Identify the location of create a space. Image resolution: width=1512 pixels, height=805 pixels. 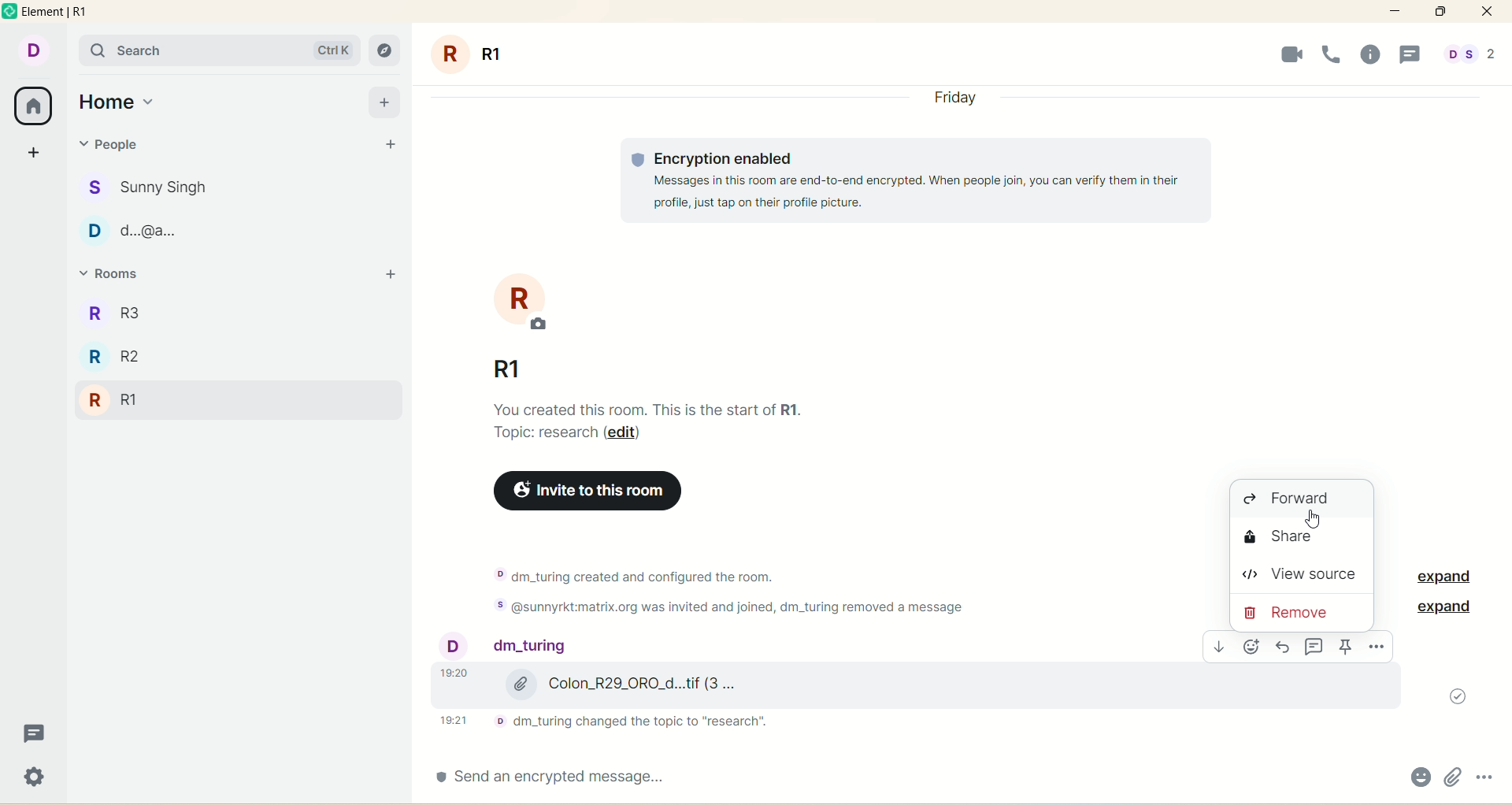
(36, 149).